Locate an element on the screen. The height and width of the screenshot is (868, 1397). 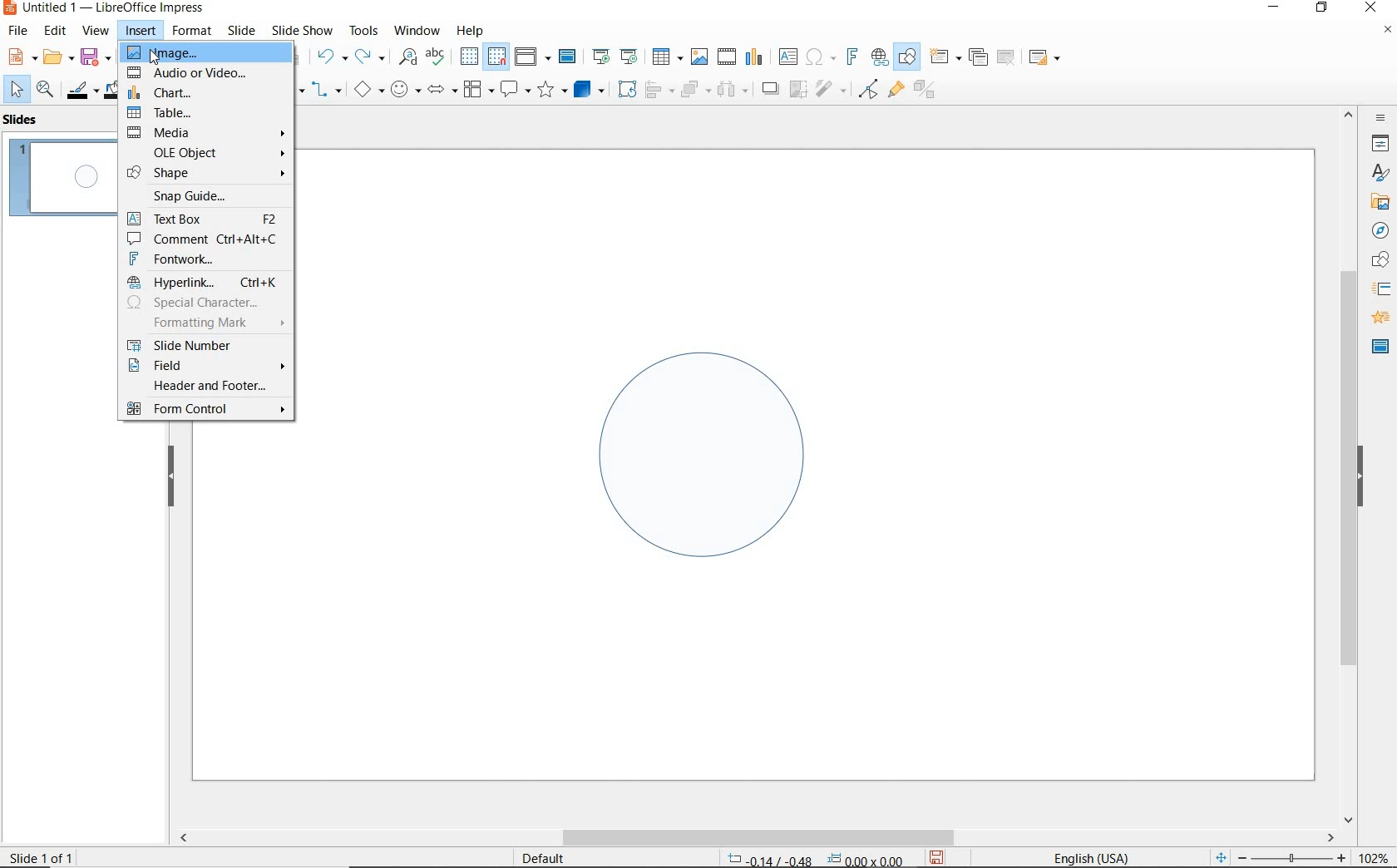
new slide is located at coordinates (945, 57).